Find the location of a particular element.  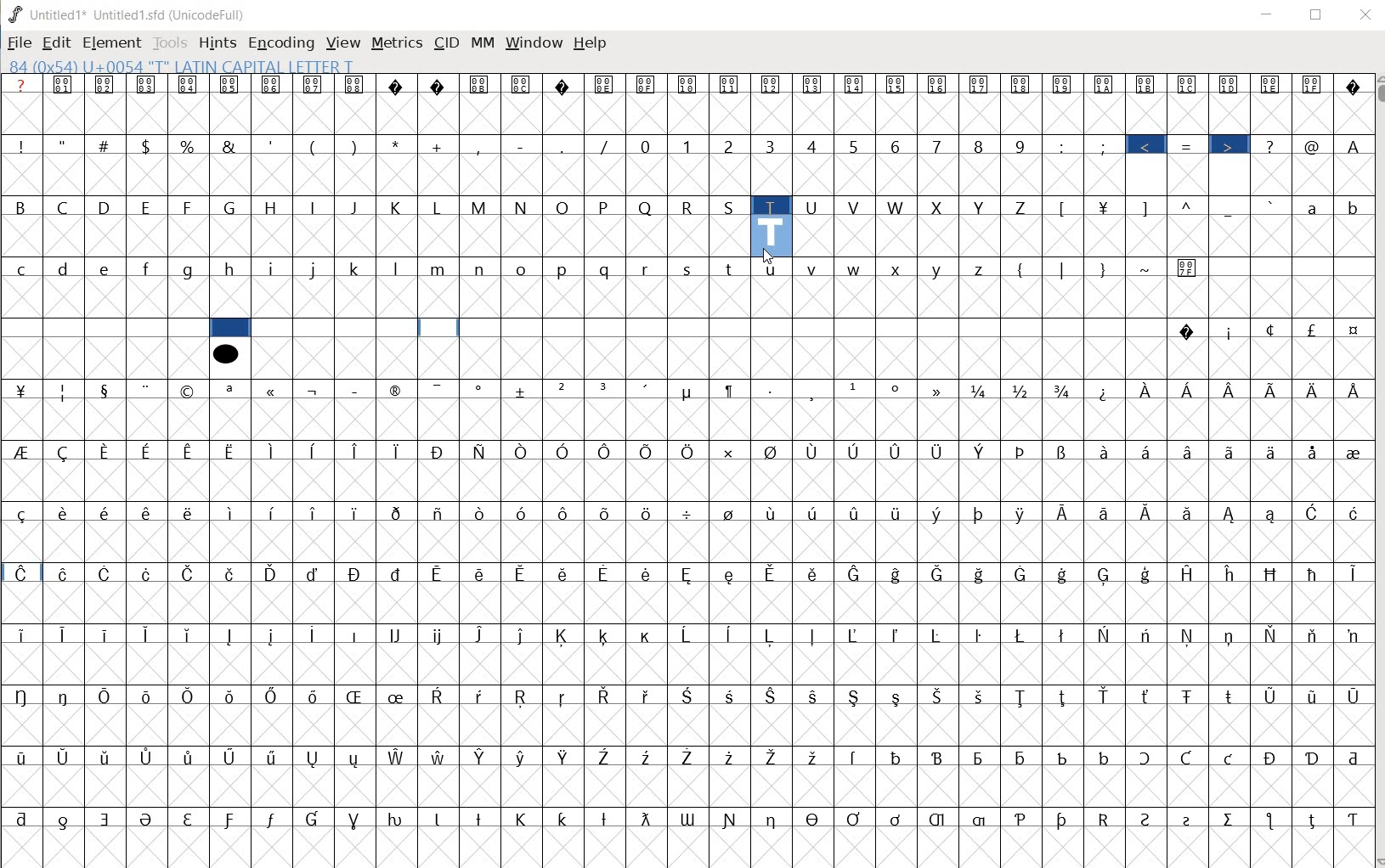

Symbol is located at coordinates (941, 696).